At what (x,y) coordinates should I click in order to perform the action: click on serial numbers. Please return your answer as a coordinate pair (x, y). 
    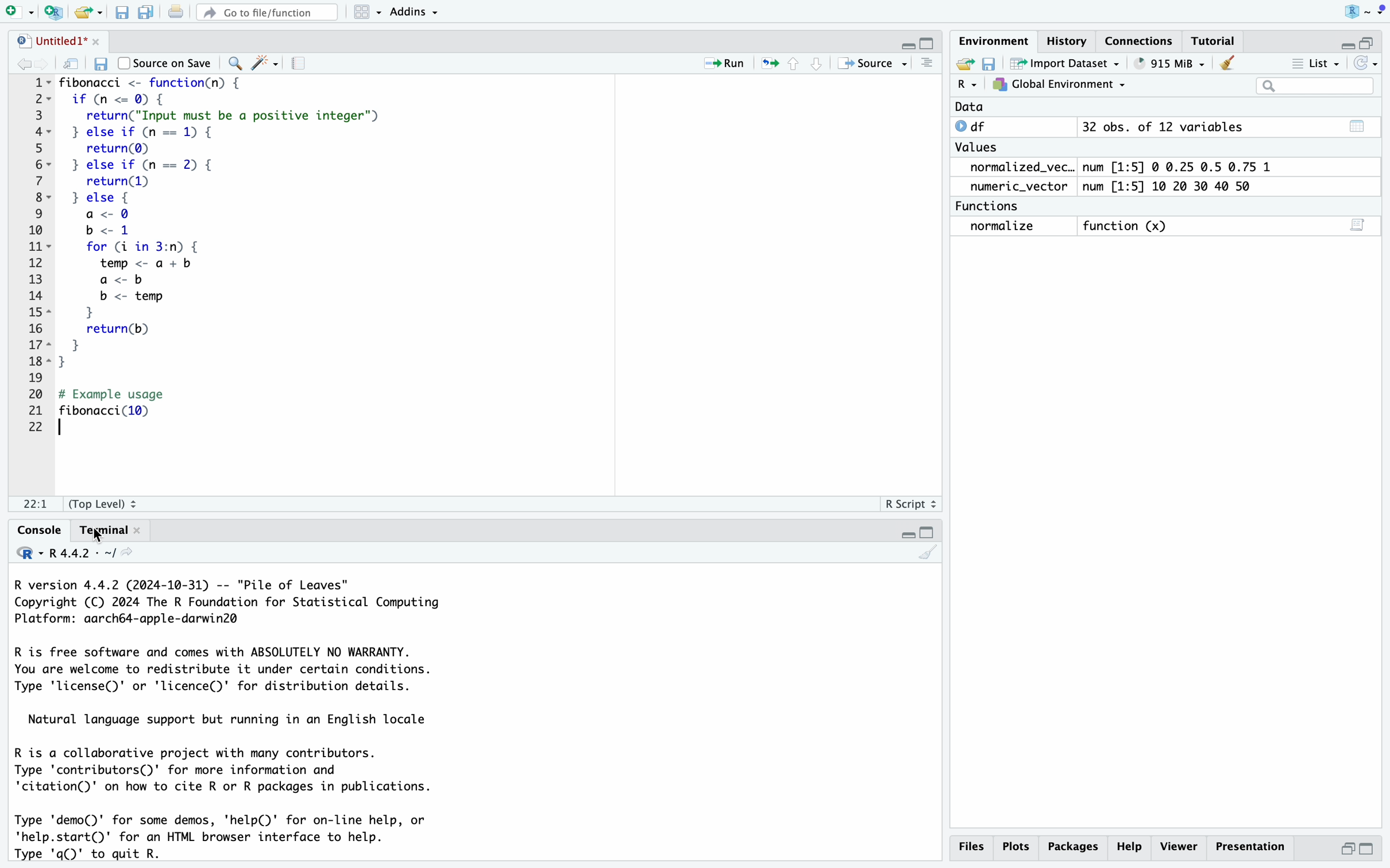
    Looking at the image, I should click on (32, 255).